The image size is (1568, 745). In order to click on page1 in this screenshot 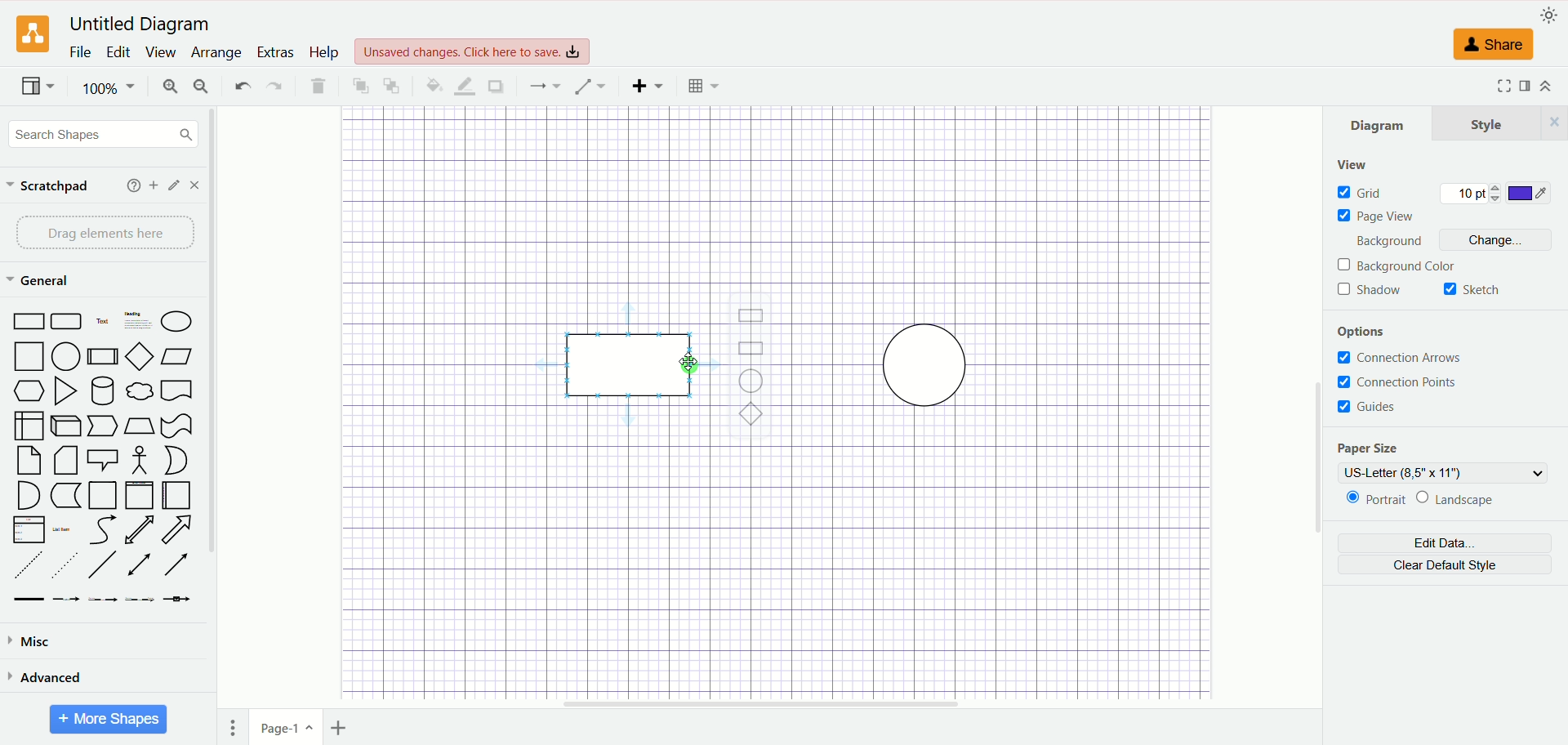, I will do `click(287, 727)`.